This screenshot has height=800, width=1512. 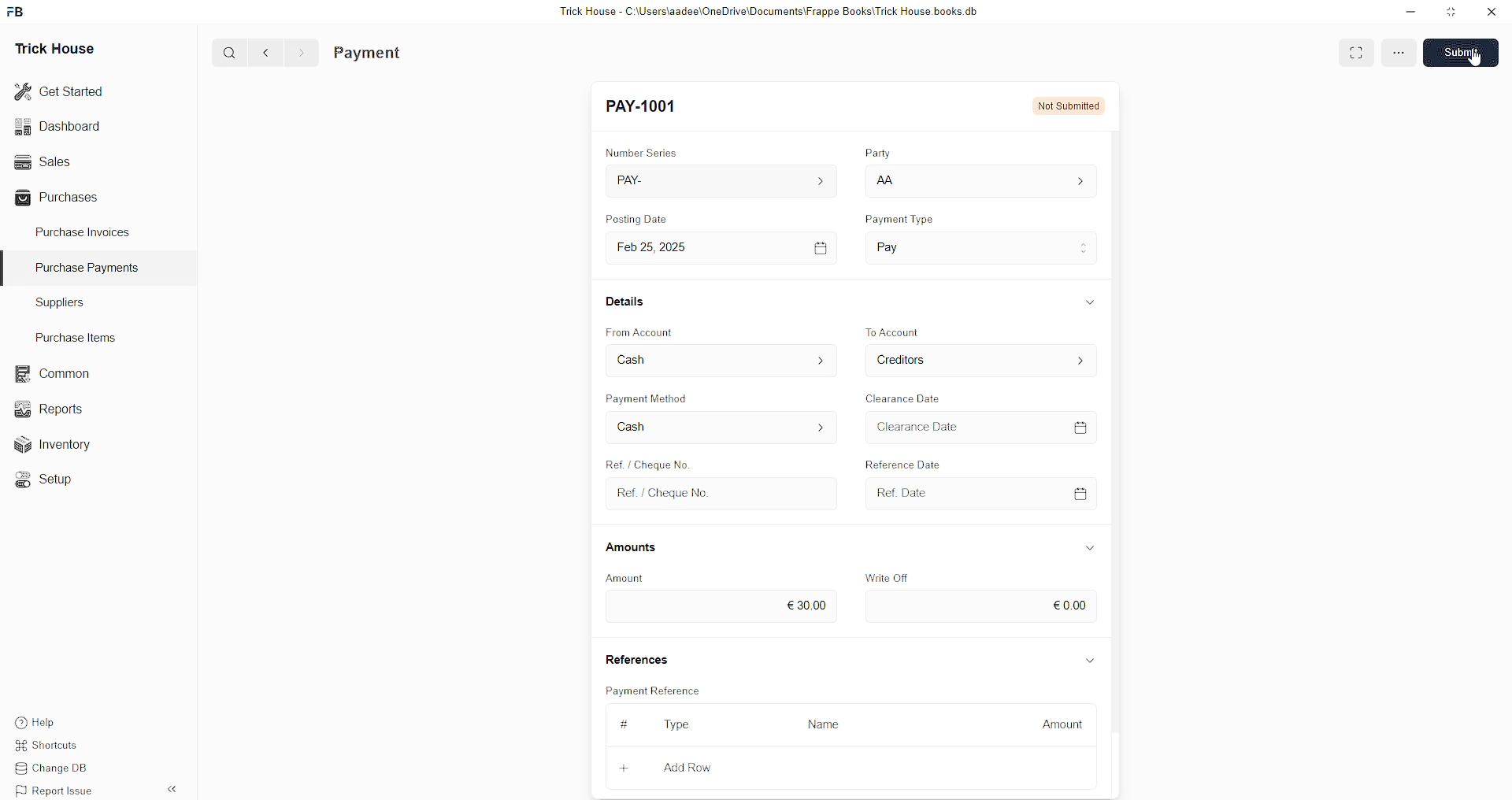 What do you see at coordinates (915, 361) in the screenshot?
I see `Creditors` at bounding box center [915, 361].